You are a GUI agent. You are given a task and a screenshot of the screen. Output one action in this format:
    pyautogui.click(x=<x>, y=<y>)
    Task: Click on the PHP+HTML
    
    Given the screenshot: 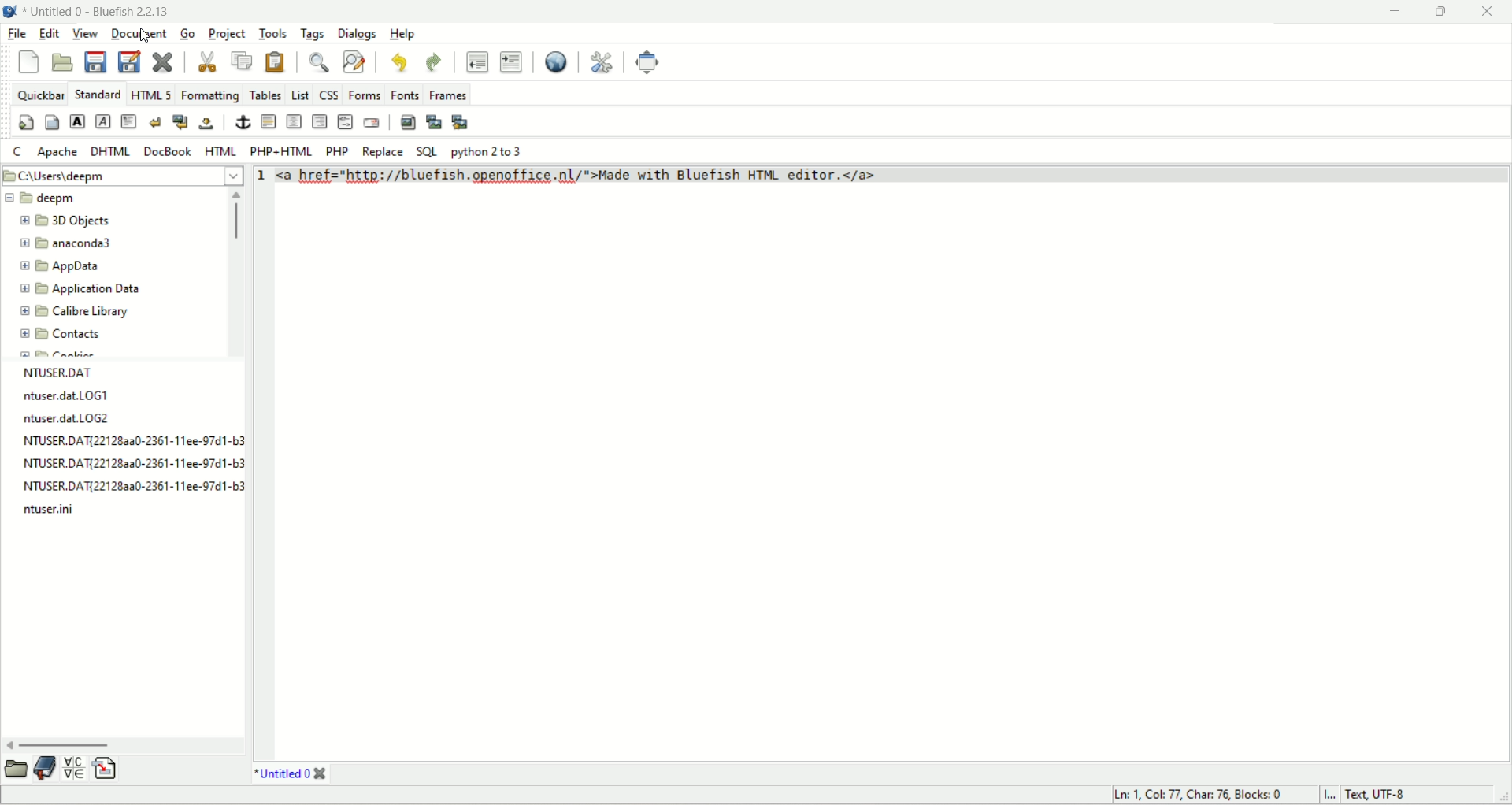 What is the action you would take?
    pyautogui.click(x=283, y=152)
    